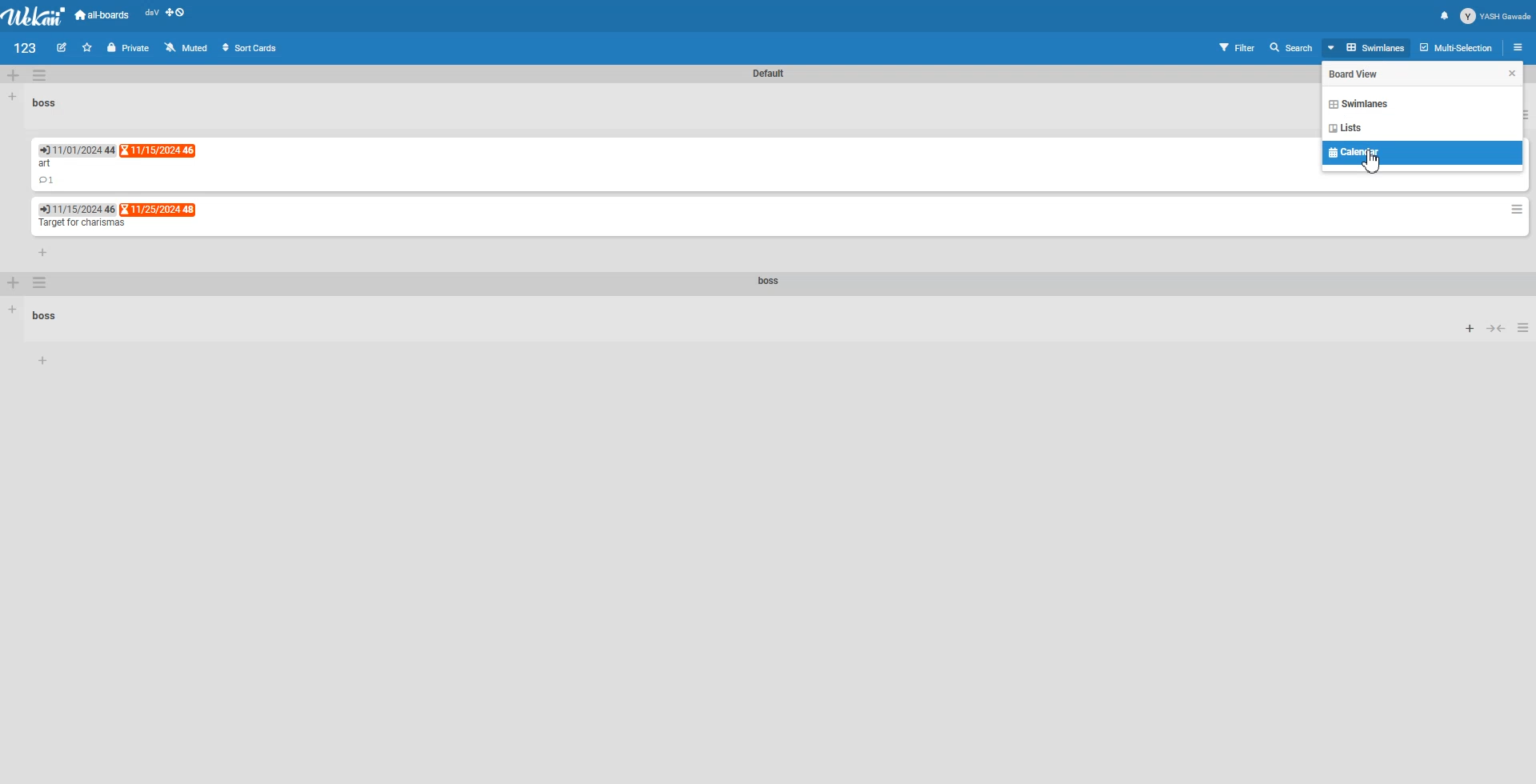 This screenshot has height=784, width=1536. What do you see at coordinates (1445, 16) in the screenshot?
I see `Notification` at bounding box center [1445, 16].